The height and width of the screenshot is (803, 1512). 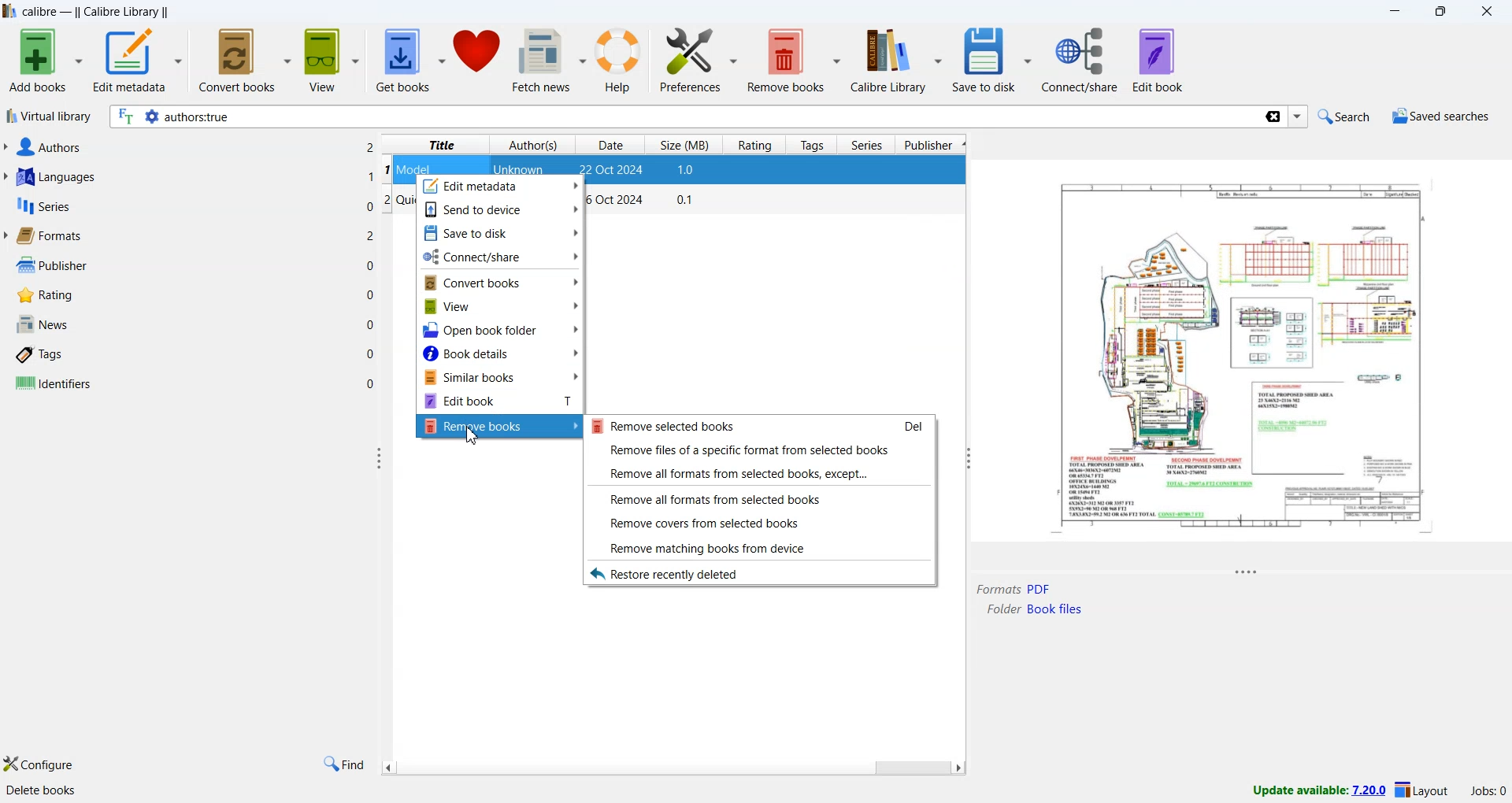 What do you see at coordinates (759, 450) in the screenshot?
I see `Remove files of a specific format from selected books` at bounding box center [759, 450].